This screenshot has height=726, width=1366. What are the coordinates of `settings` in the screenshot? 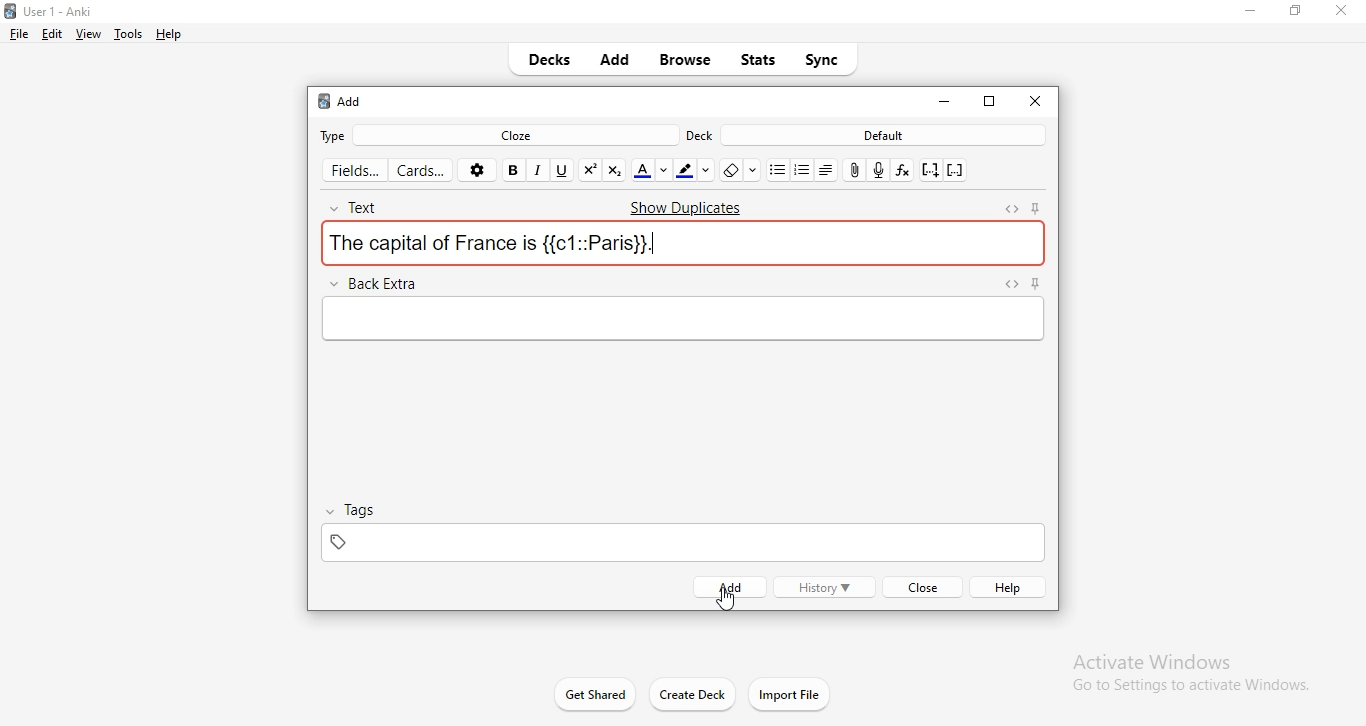 It's located at (480, 170).